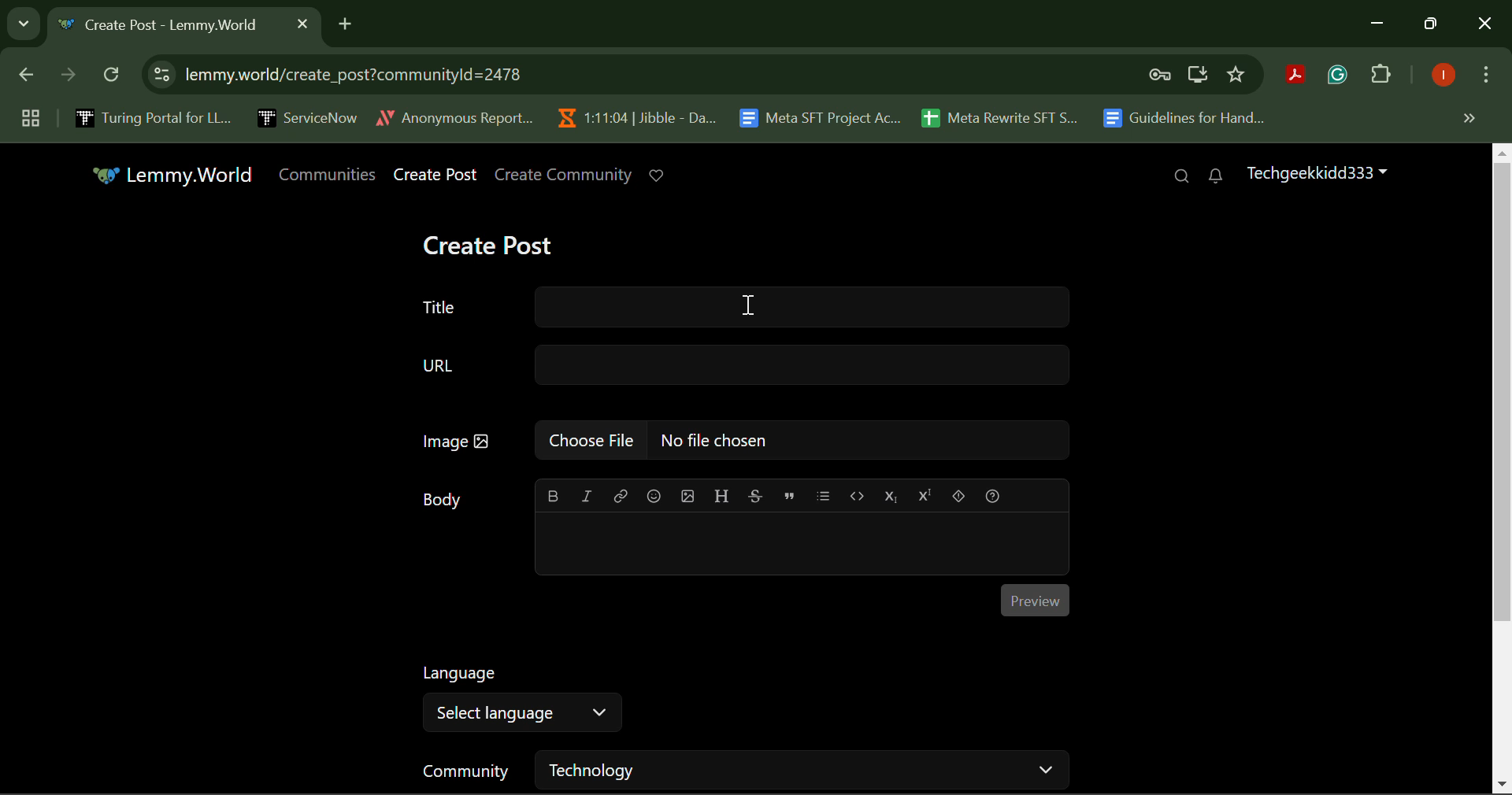  Describe the element at coordinates (564, 176) in the screenshot. I see `Create Community` at that location.